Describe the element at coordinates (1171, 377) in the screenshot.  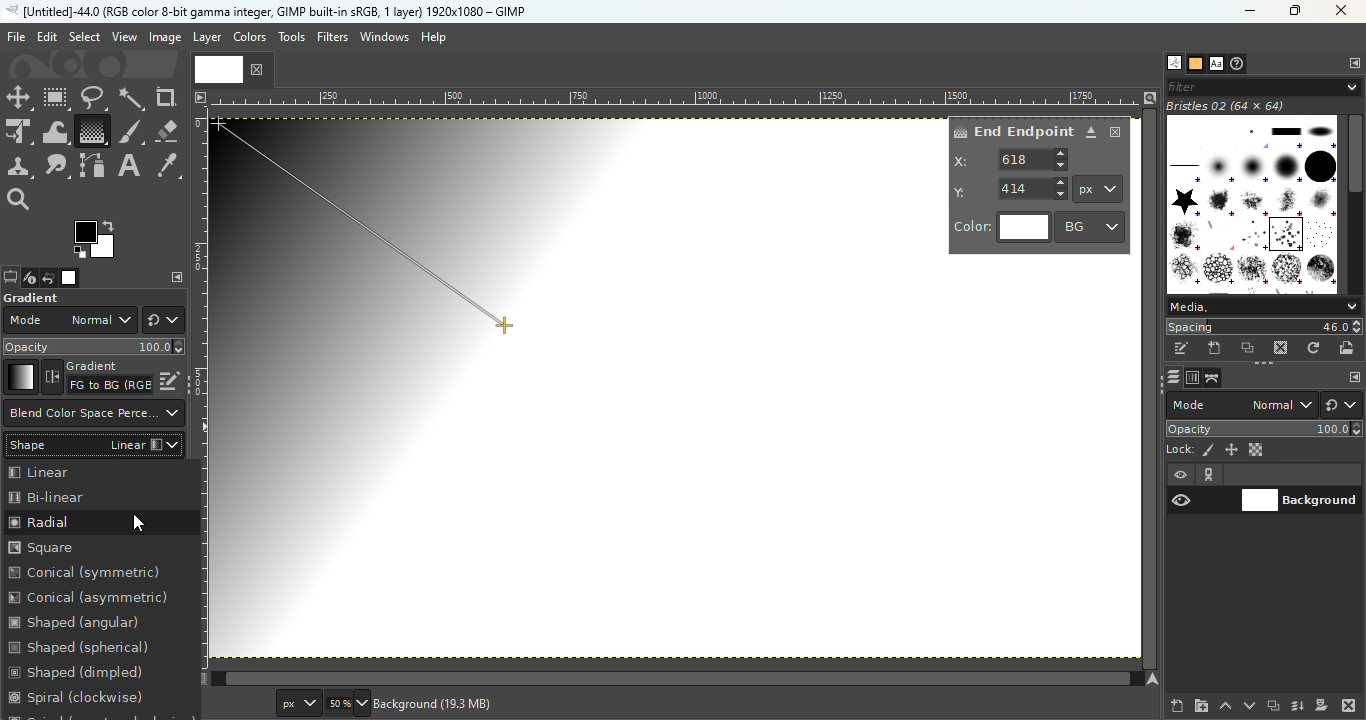
I see `Open the layers dialog` at that location.